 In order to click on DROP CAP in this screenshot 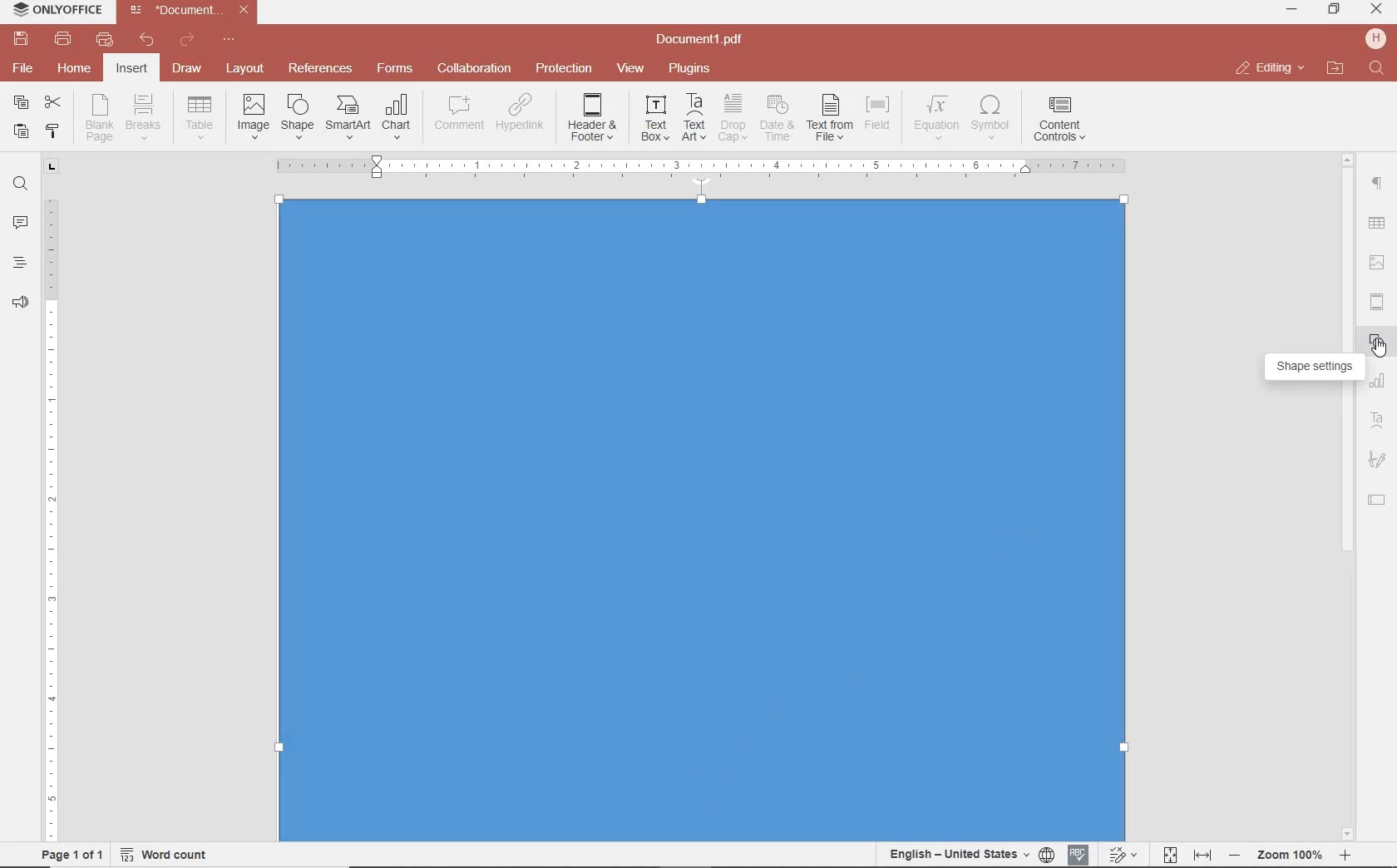, I will do `click(733, 118)`.